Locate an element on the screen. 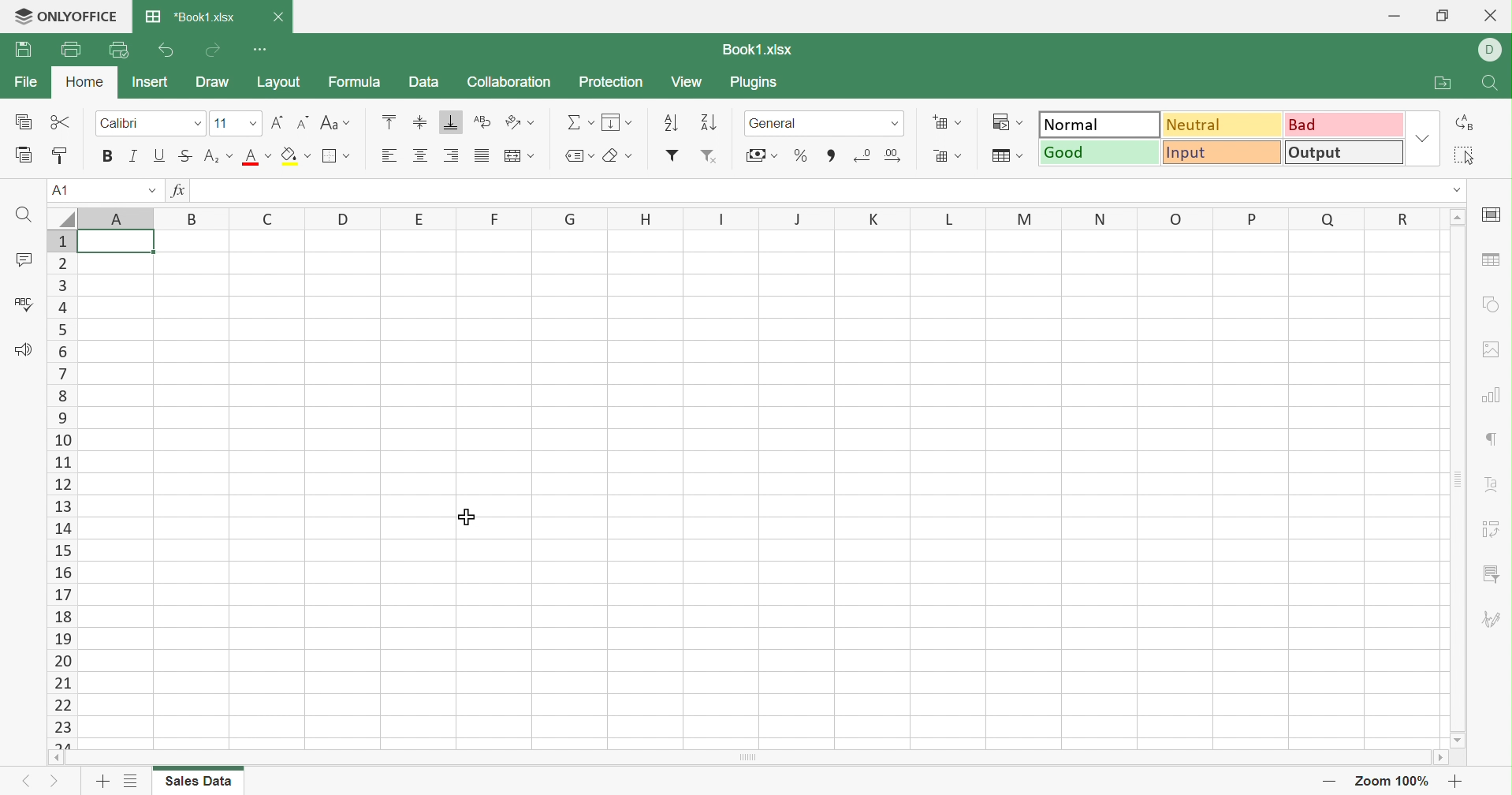 The height and width of the screenshot is (795, 1512). Orientation is located at coordinates (517, 122).